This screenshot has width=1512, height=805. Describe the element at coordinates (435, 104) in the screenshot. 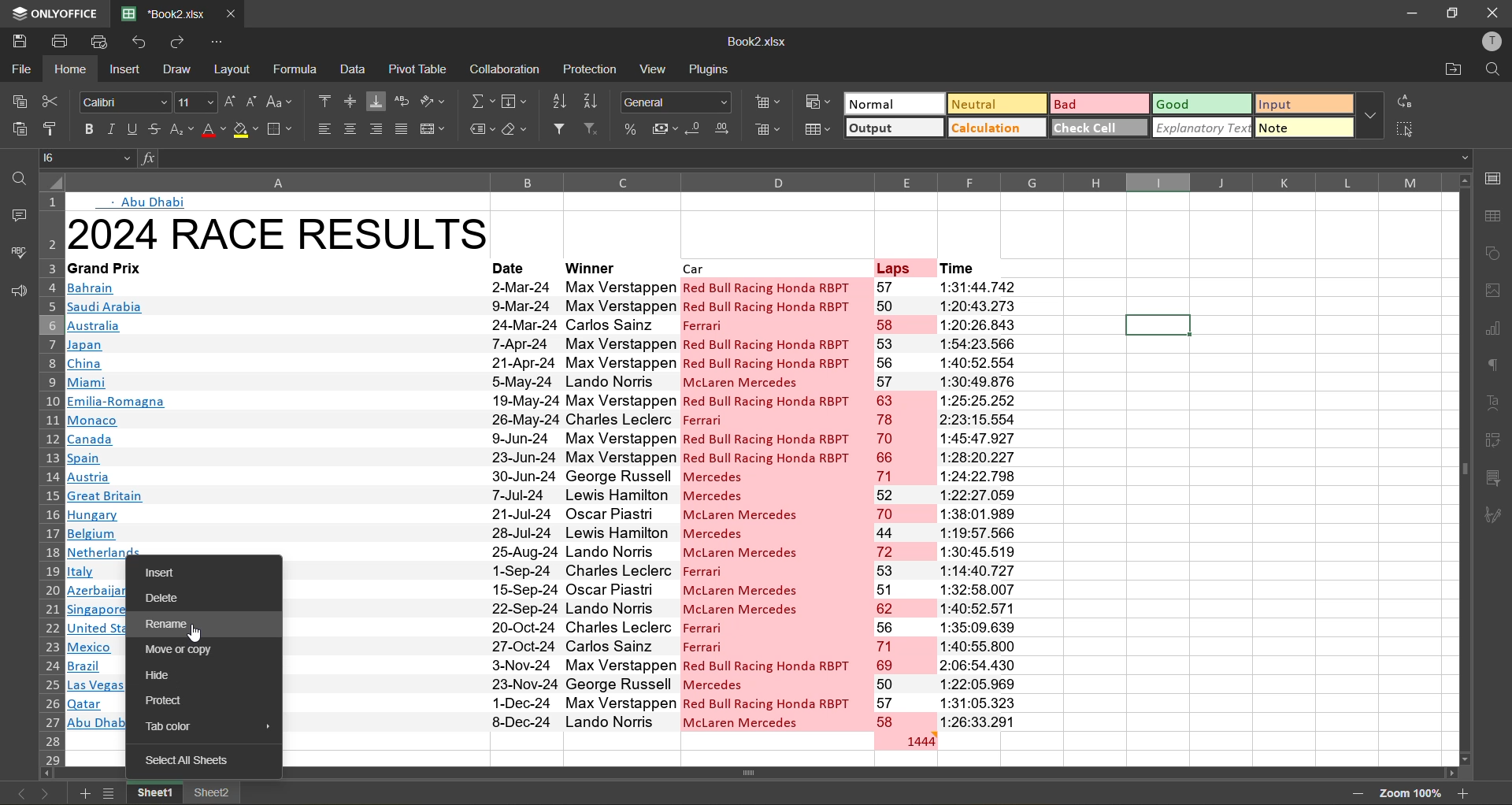

I see `orientation` at that location.